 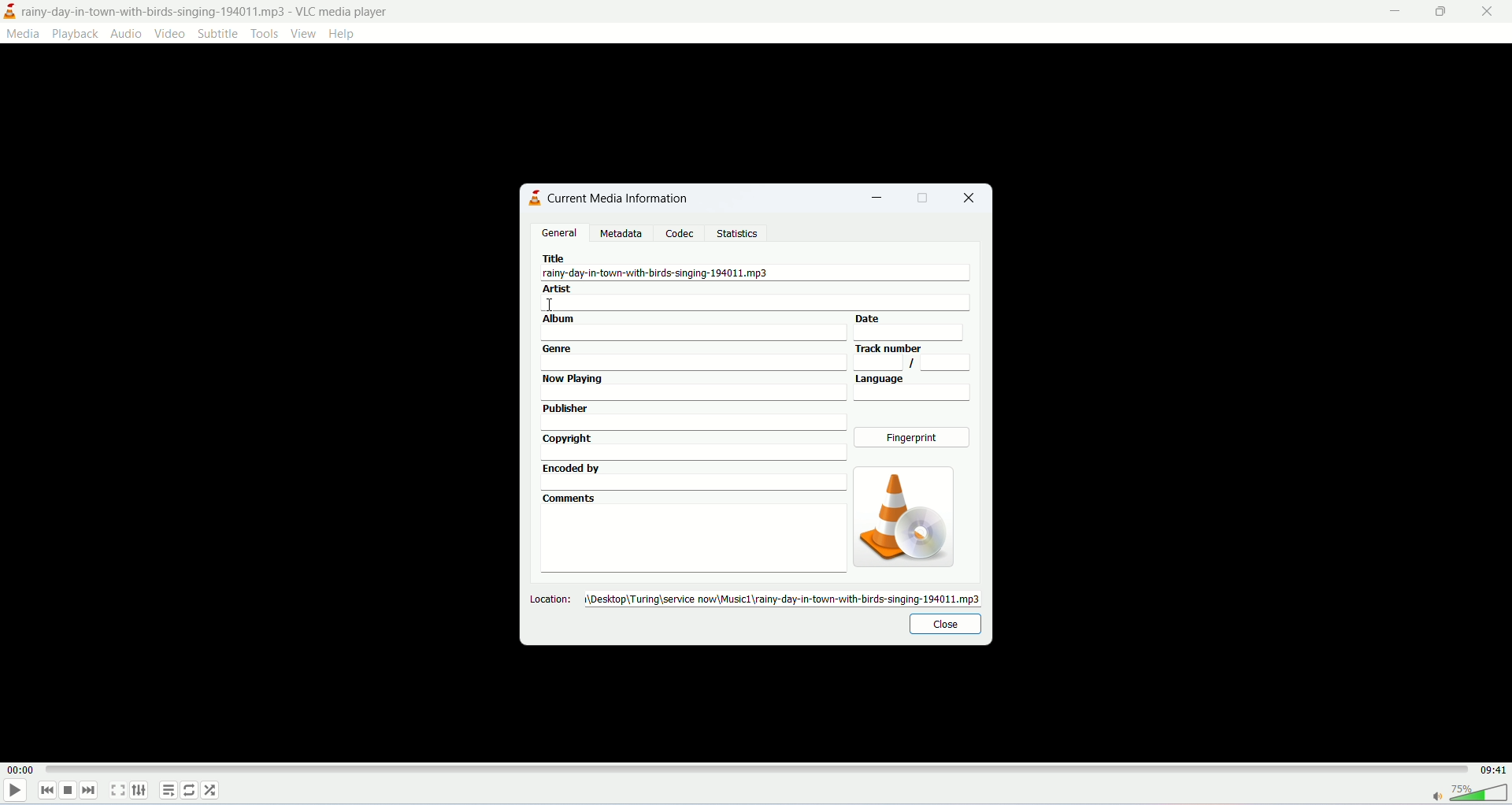 I want to click on next, so click(x=92, y=792).